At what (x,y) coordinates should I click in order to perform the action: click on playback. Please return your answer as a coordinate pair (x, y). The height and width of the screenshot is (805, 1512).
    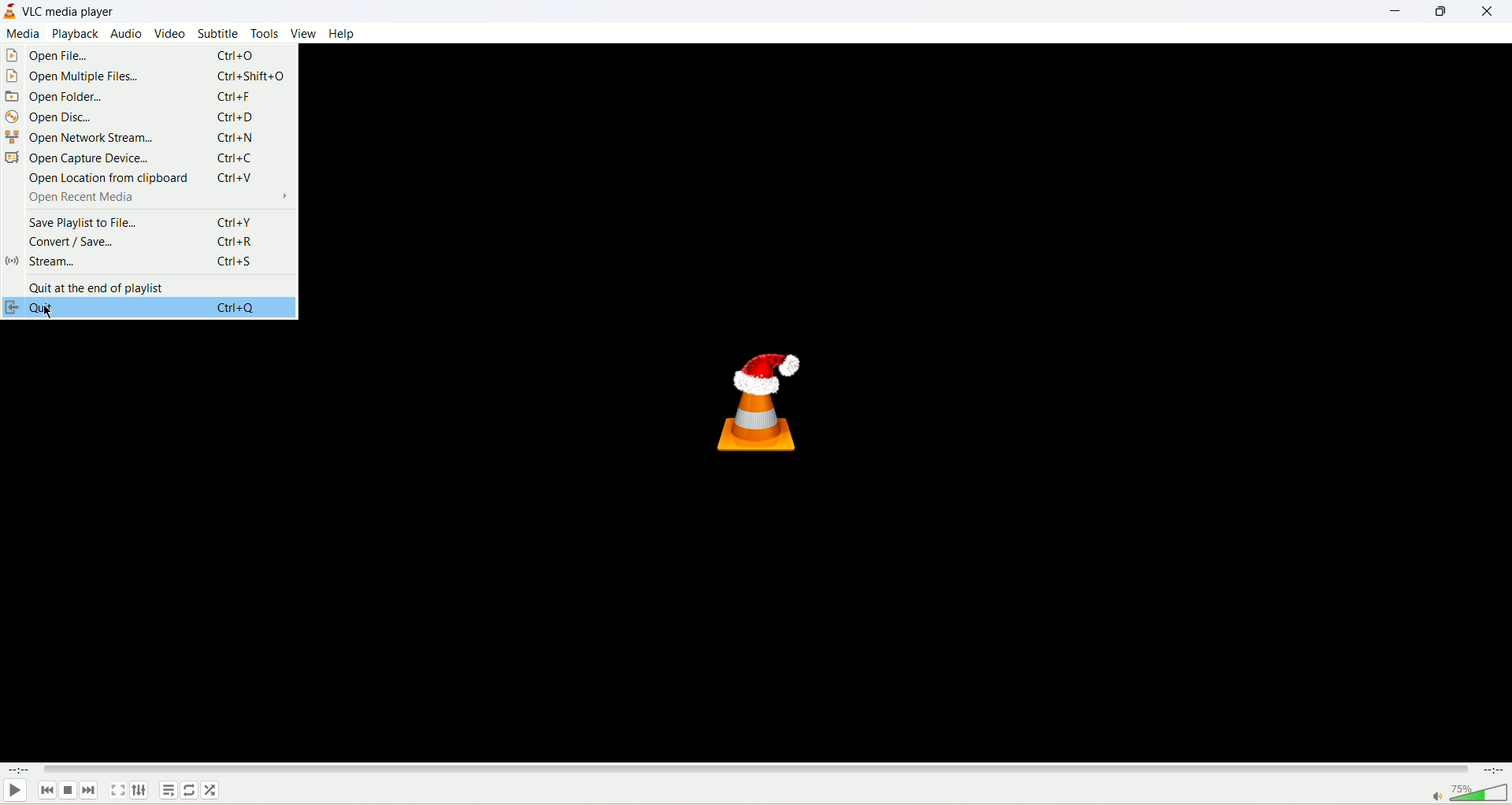
    Looking at the image, I should click on (75, 35).